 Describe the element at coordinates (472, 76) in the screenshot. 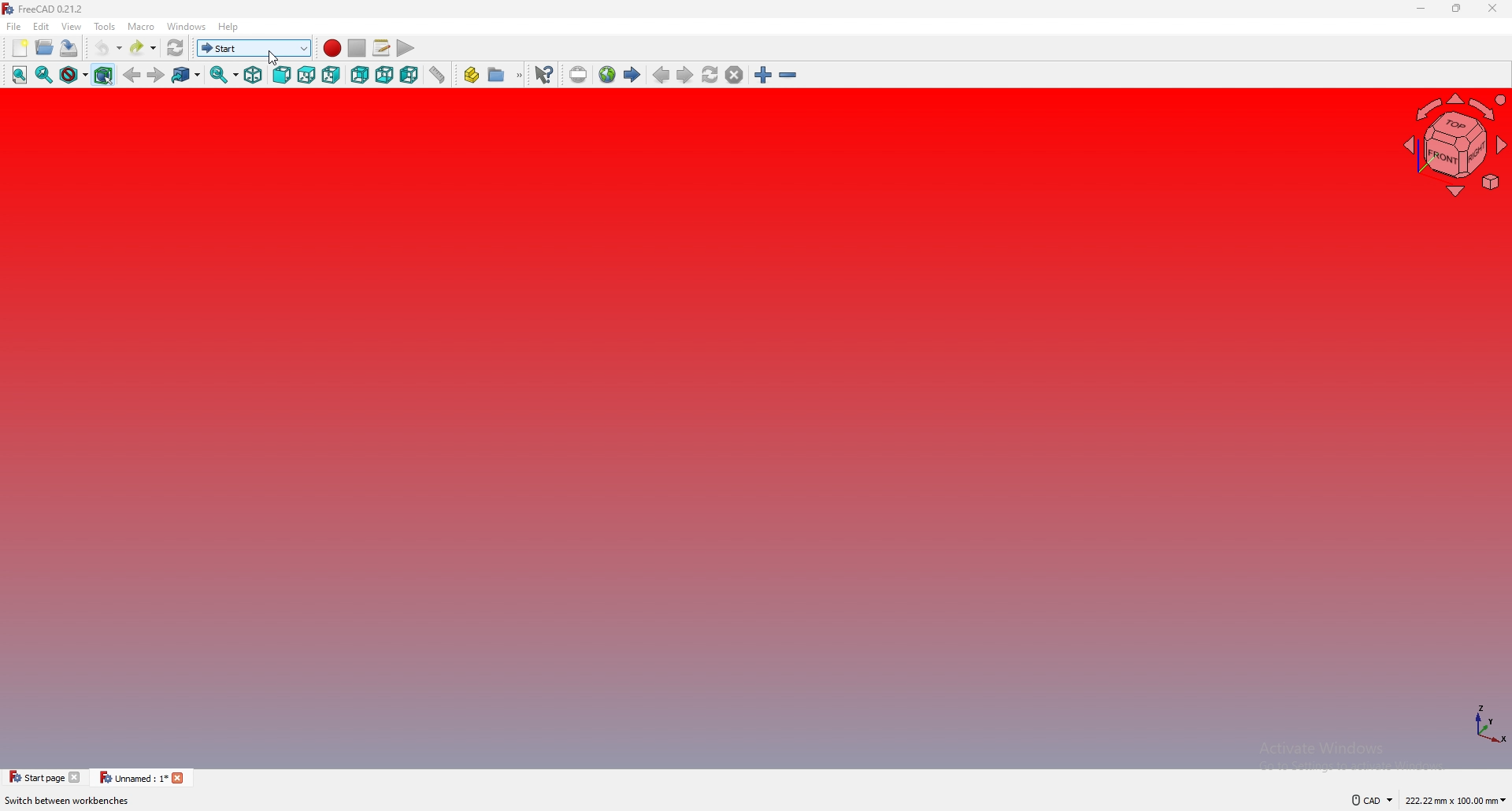

I see `create part` at that location.